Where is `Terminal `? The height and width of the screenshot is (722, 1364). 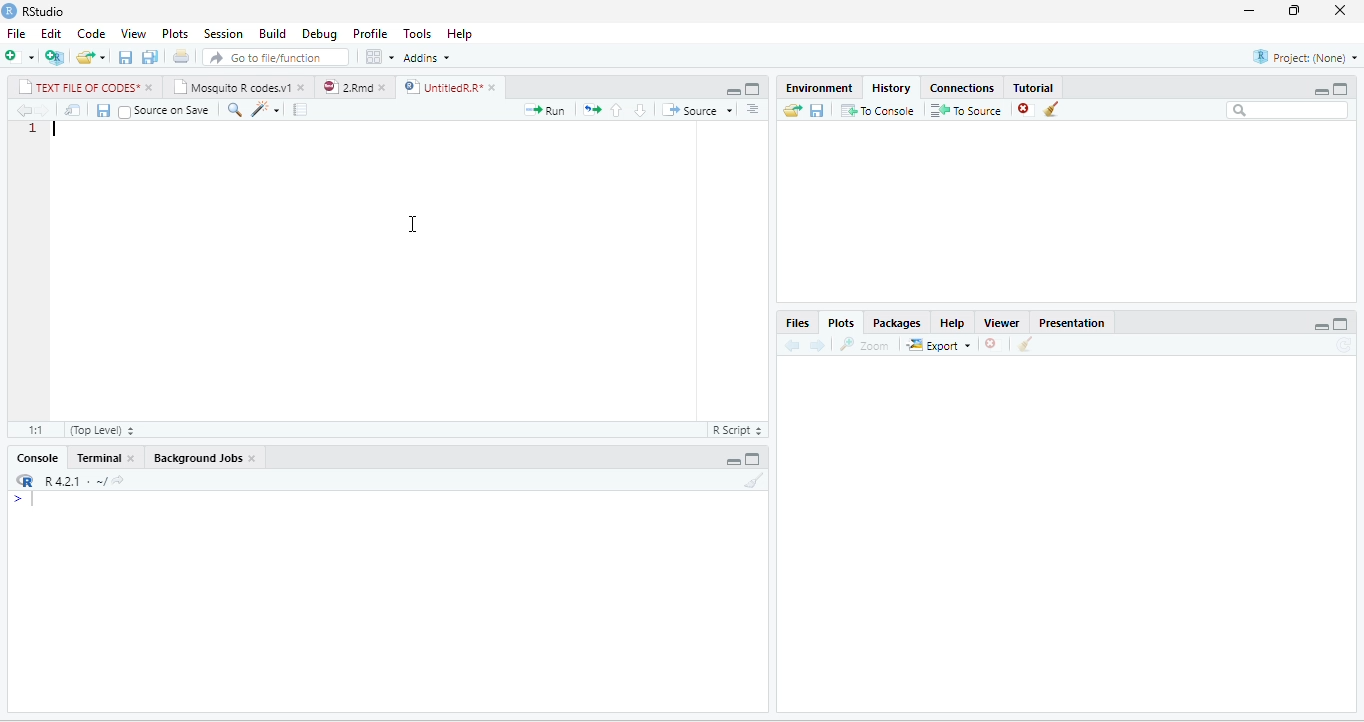 Terminal  is located at coordinates (97, 458).